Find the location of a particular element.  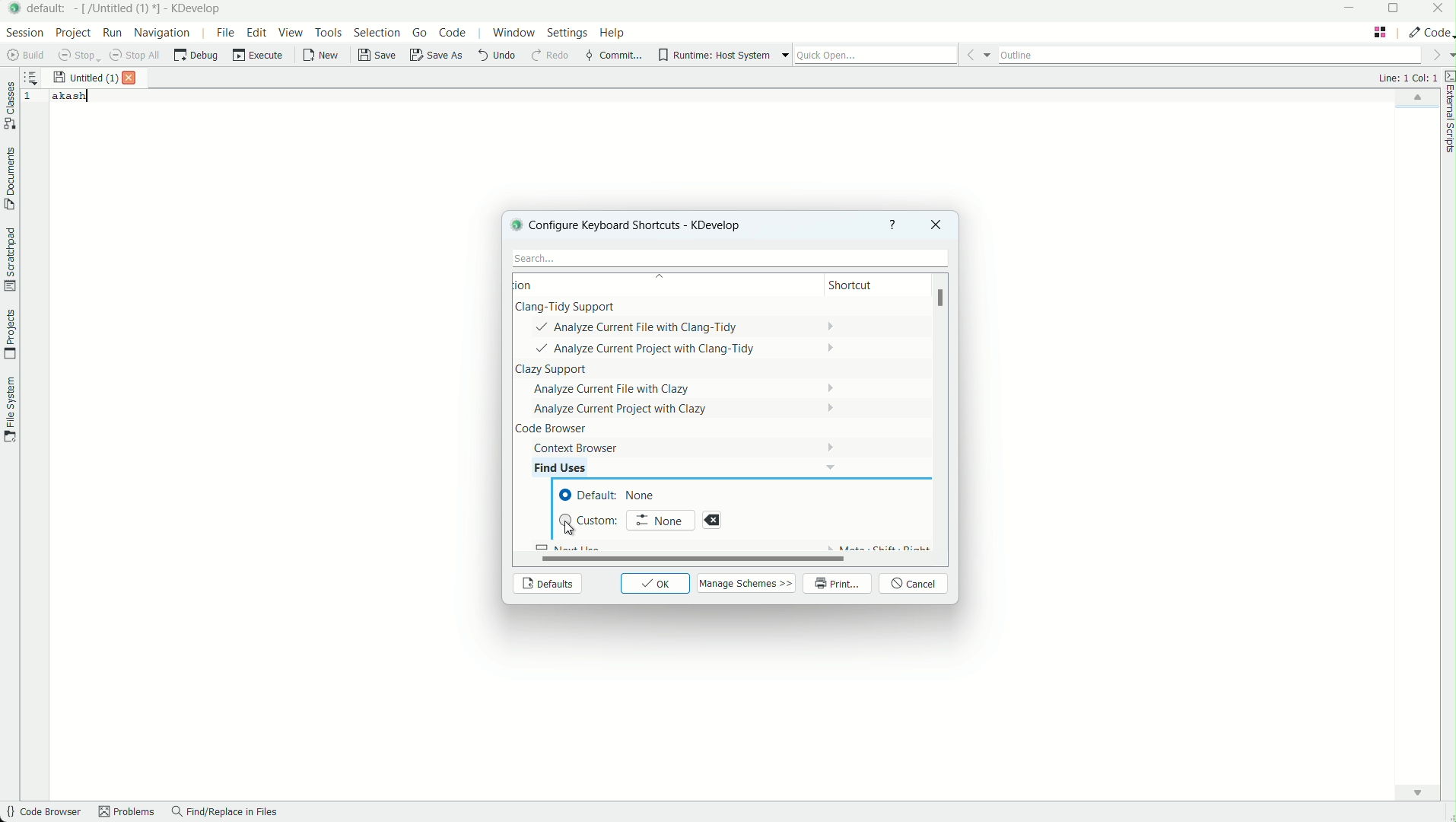

code browser is located at coordinates (42, 813).